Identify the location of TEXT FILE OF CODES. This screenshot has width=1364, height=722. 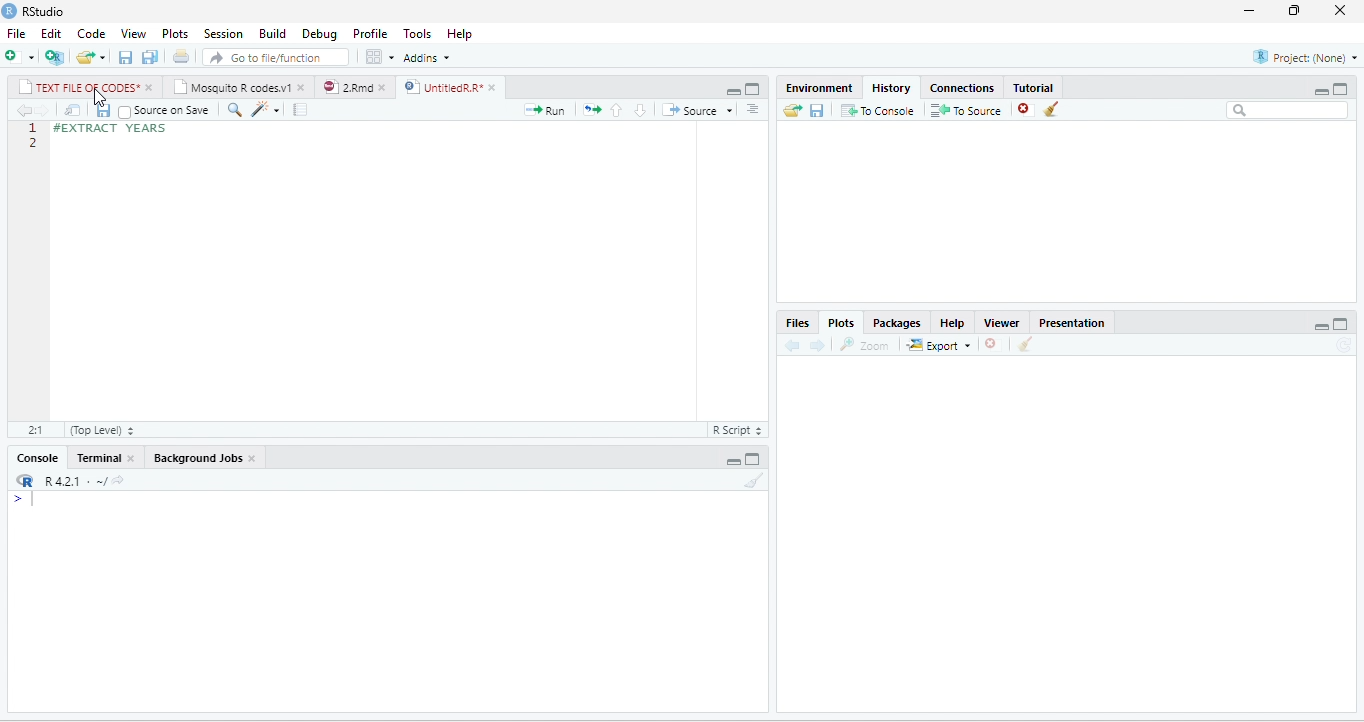
(78, 87).